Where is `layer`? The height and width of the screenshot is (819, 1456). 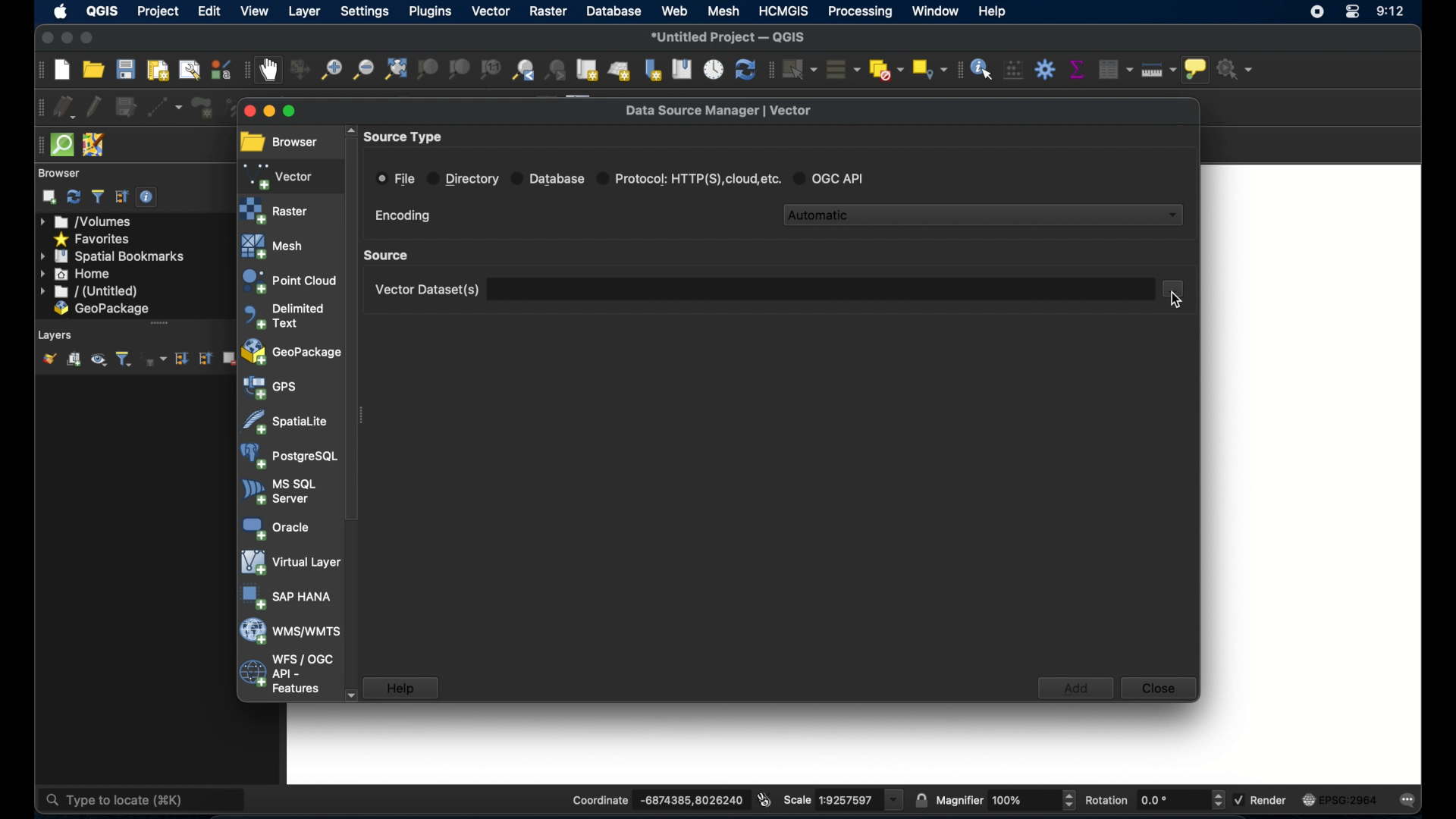
layer is located at coordinates (302, 11).